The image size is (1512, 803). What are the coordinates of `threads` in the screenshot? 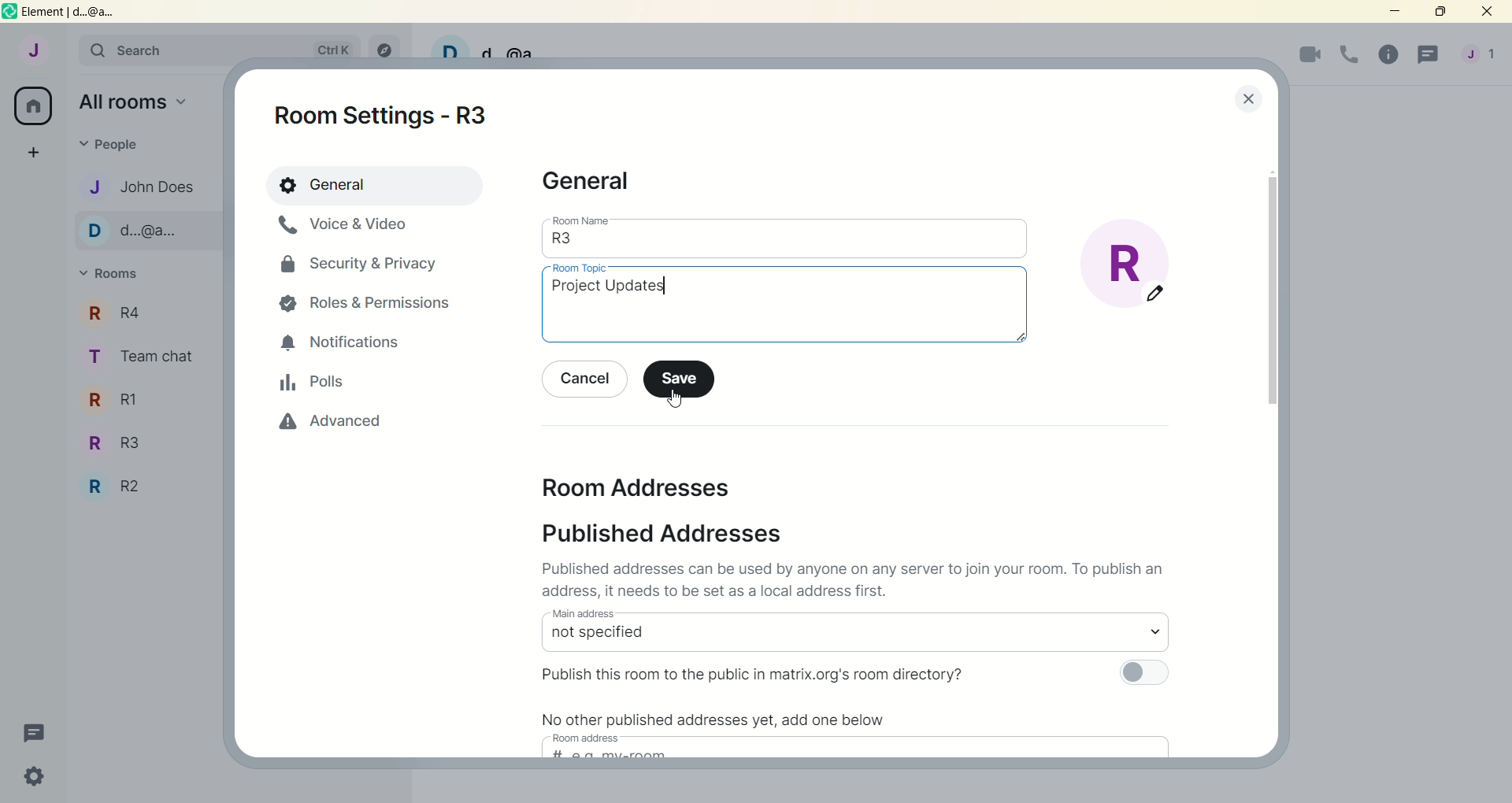 It's located at (39, 734).